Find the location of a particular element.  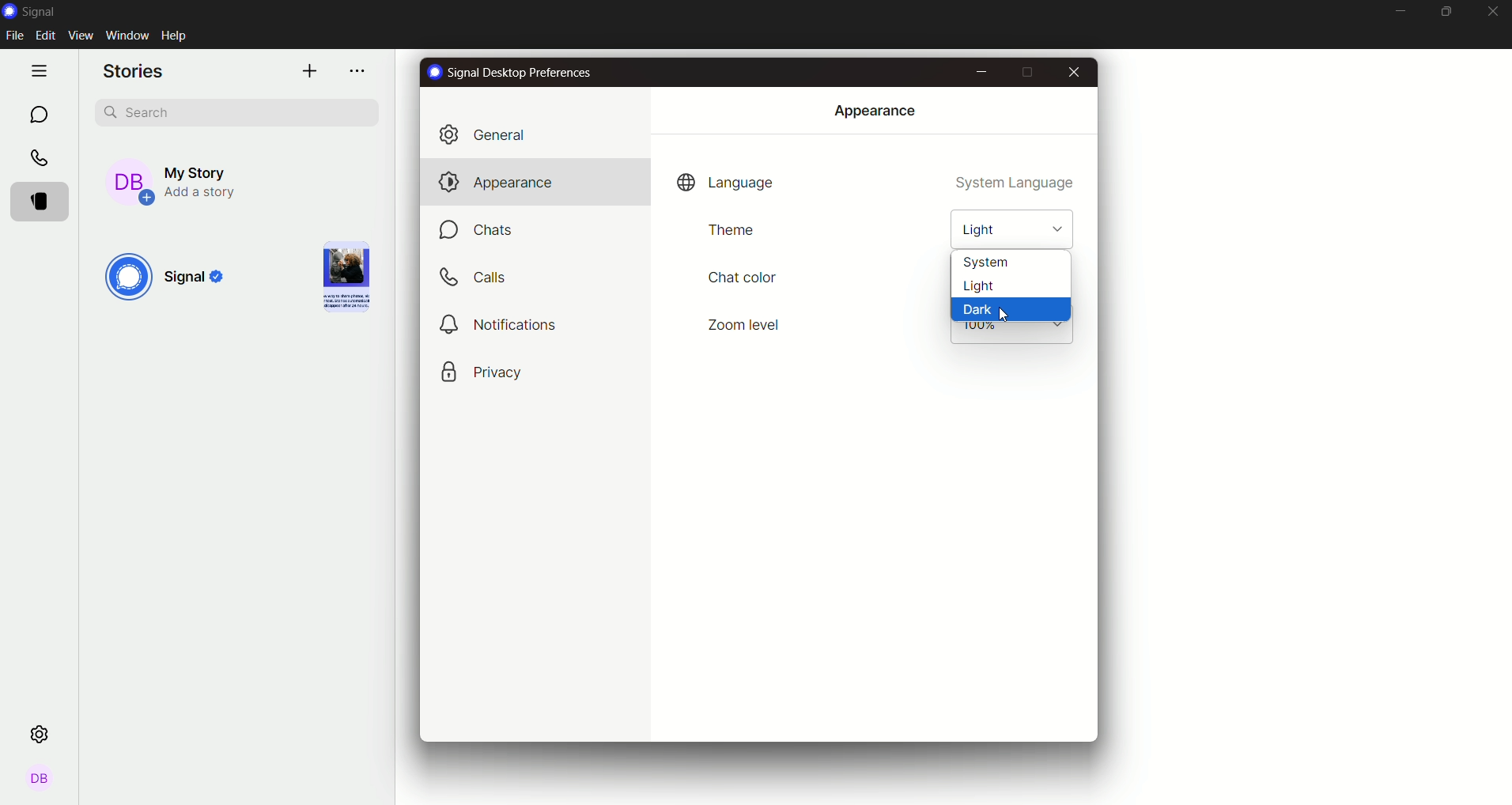

calls is located at coordinates (478, 278).